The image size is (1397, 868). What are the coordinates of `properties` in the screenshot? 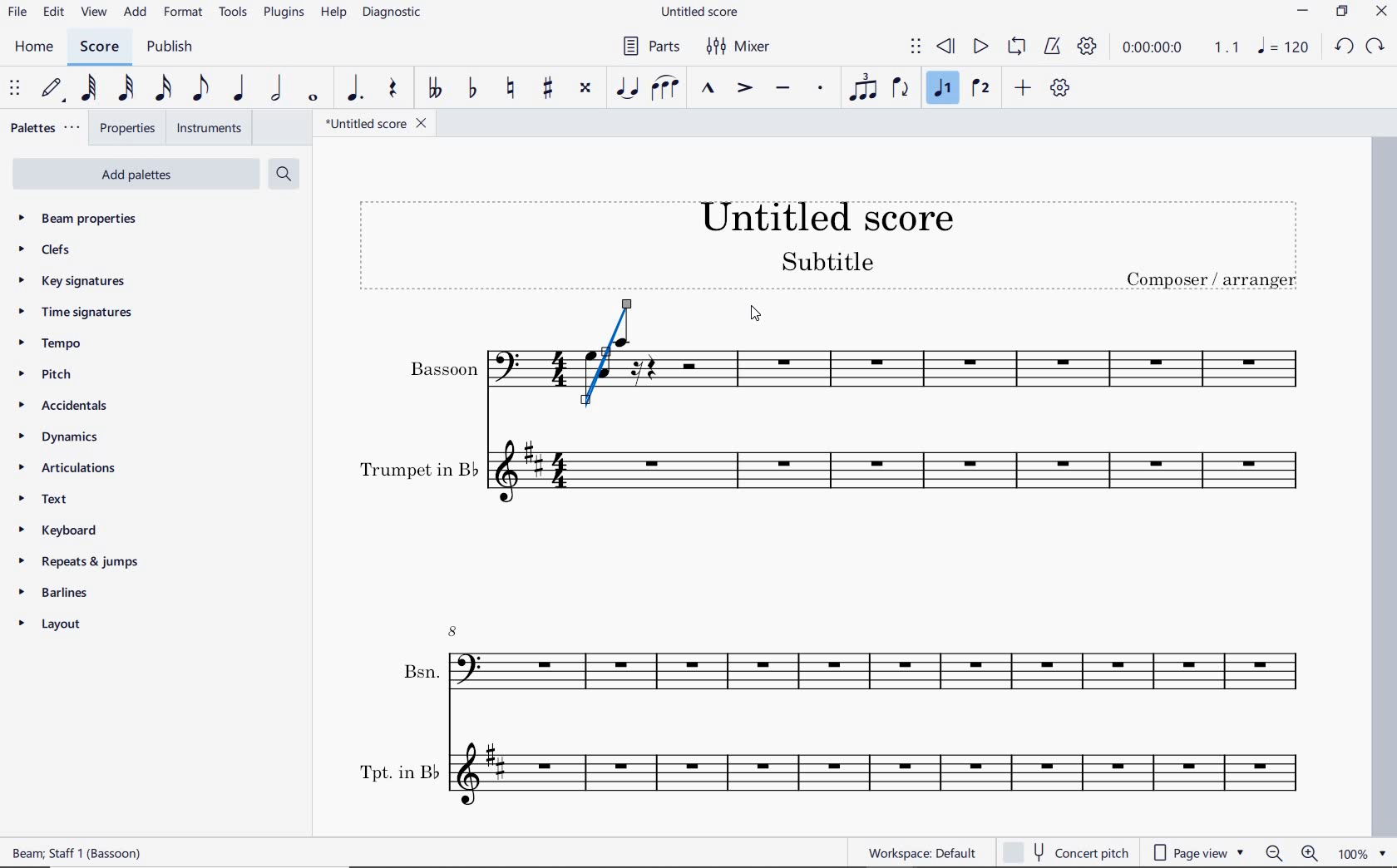 It's located at (124, 128).